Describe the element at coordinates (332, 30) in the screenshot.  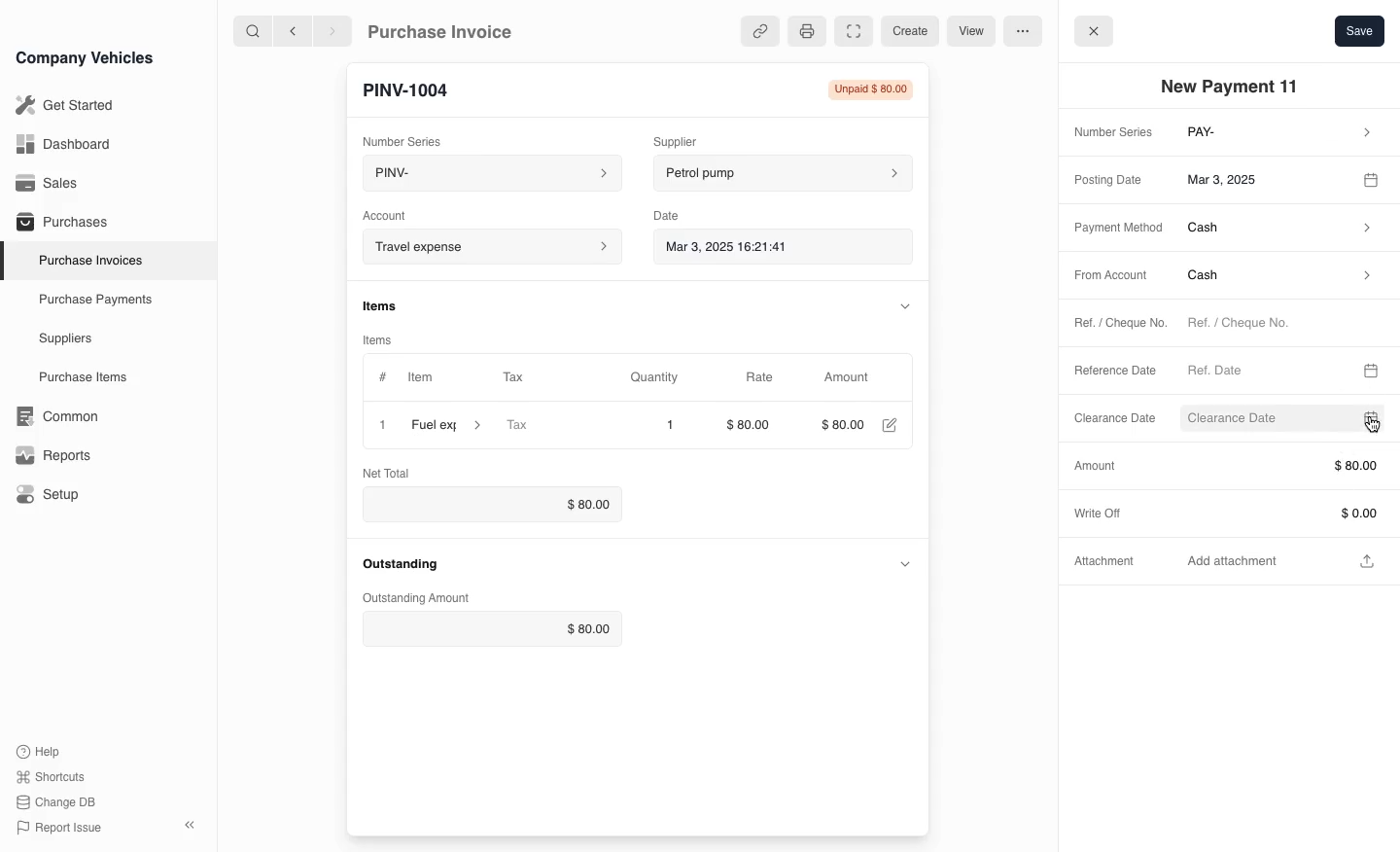
I see `next` at that location.